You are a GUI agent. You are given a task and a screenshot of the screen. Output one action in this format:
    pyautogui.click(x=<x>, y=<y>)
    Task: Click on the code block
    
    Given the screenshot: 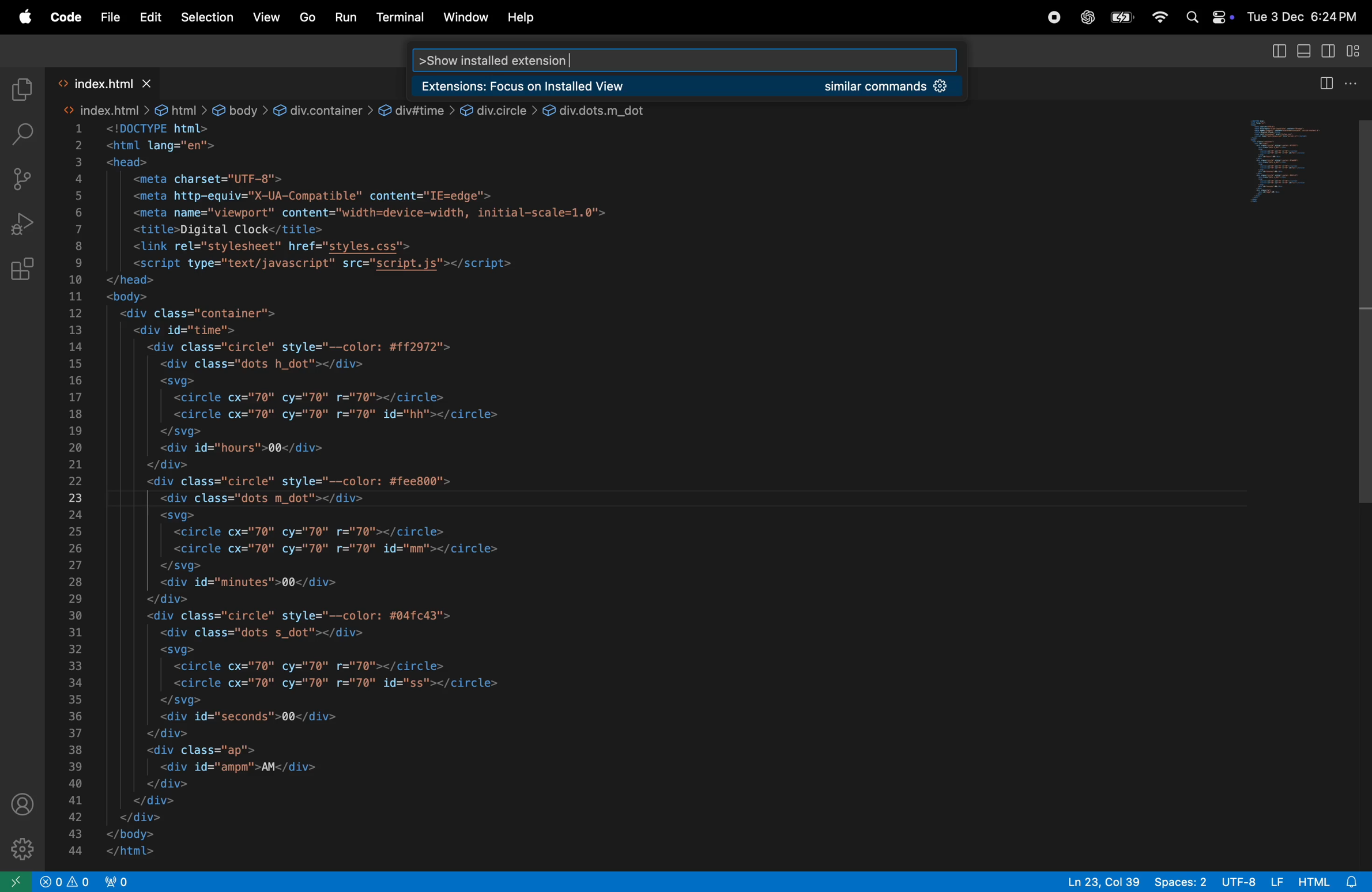 What is the action you would take?
    pyautogui.click(x=557, y=492)
    